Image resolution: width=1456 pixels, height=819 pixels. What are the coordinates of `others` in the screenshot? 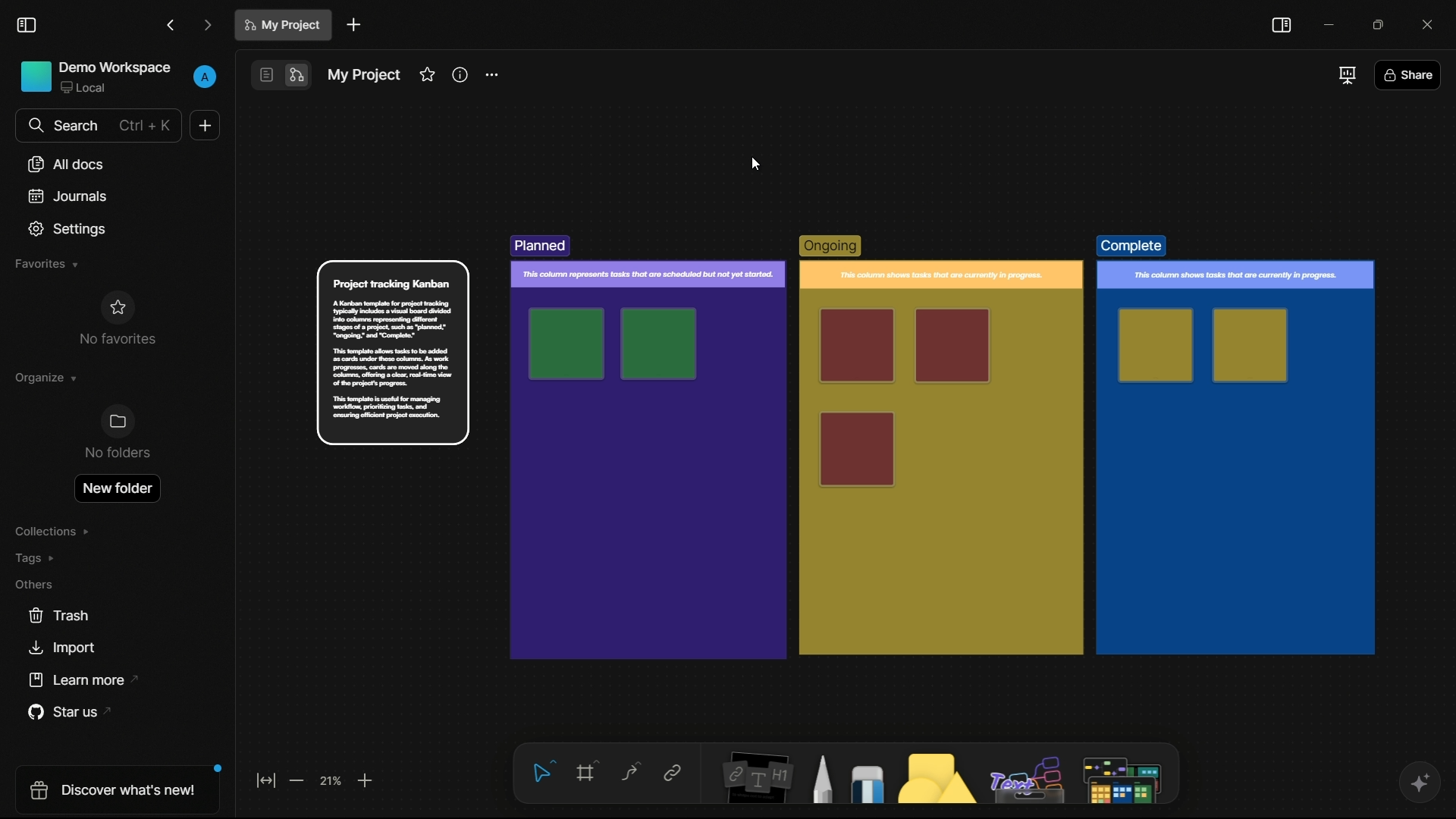 It's located at (33, 584).